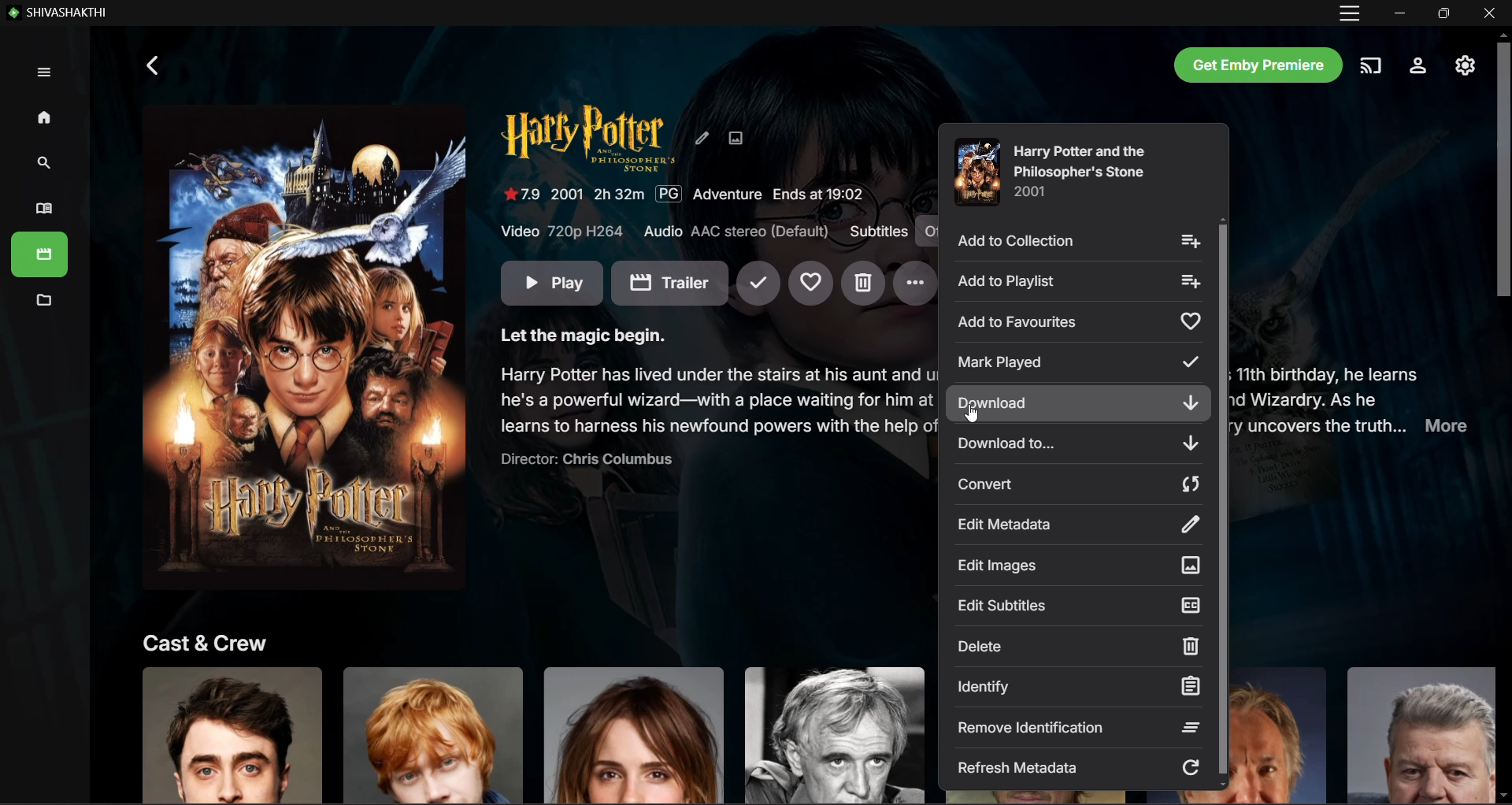 The image size is (1512, 805). What do you see at coordinates (40, 254) in the screenshot?
I see `Books` at bounding box center [40, 254].